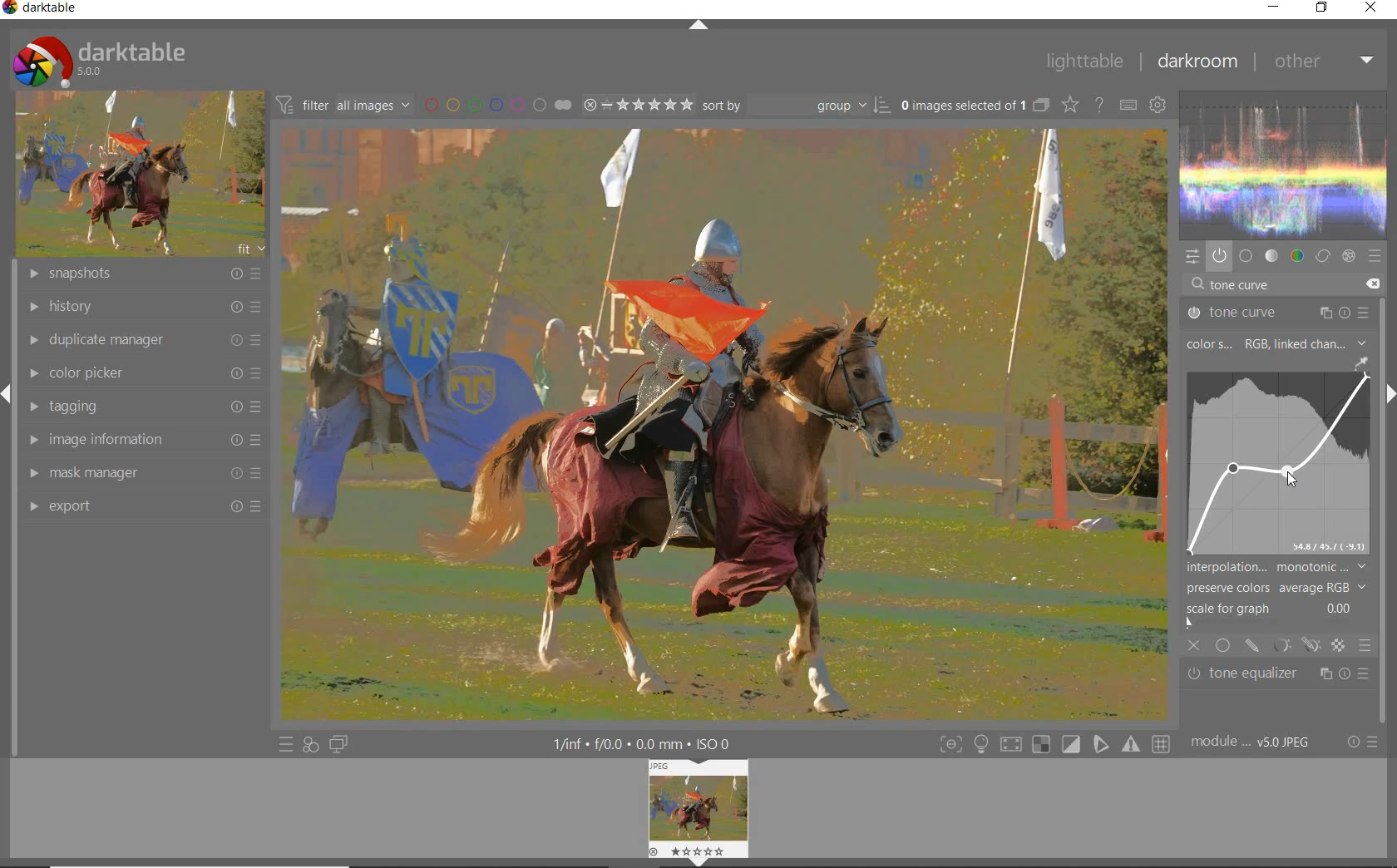  I want to click on preserve colors, so click(1276, 588).